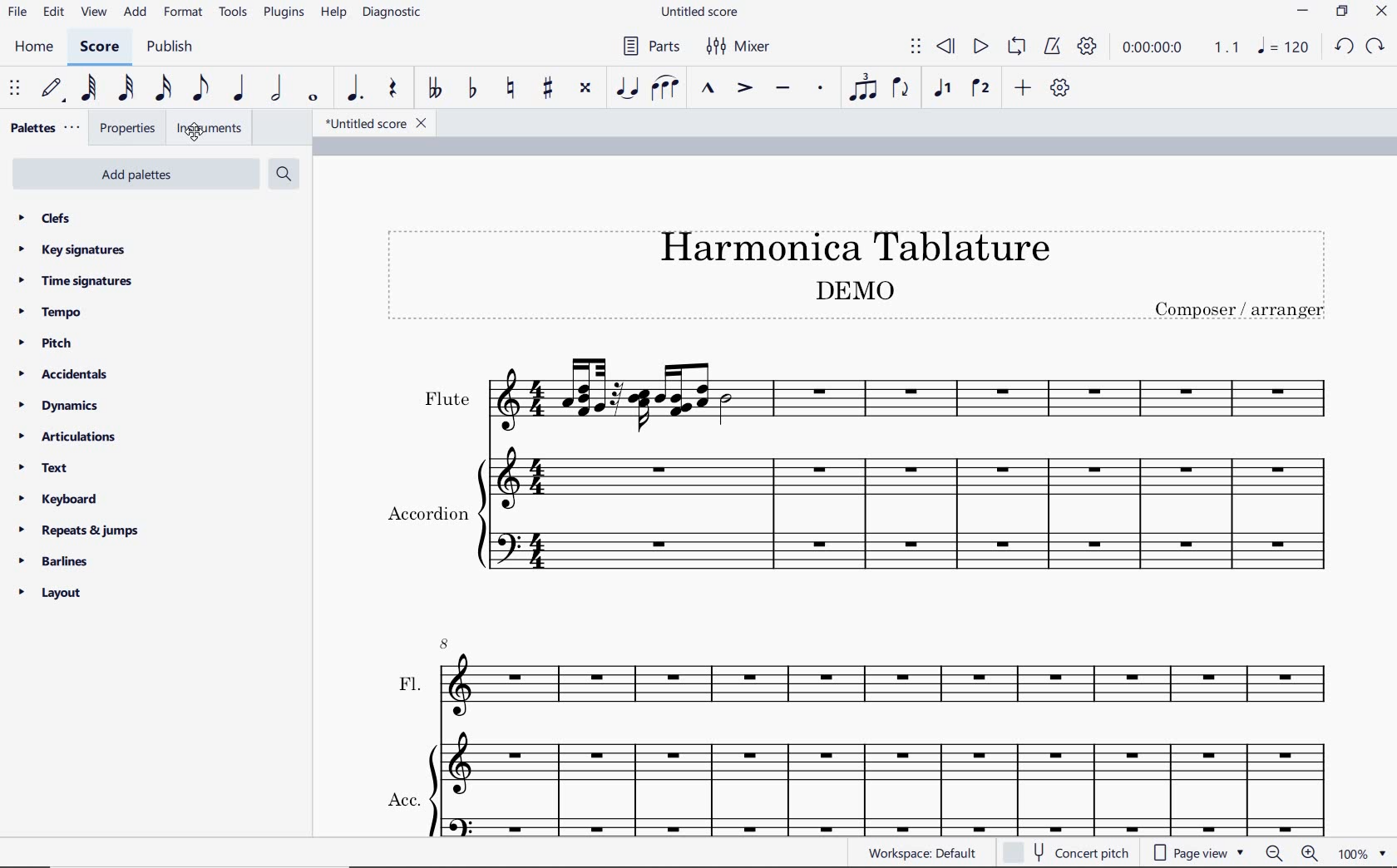 Image resolution: width=1397 pixels, height=868 pixels. What do you see at coordinates (52, 218) in the screenshot?
I see `clefs` at bounding box center [52, 218].